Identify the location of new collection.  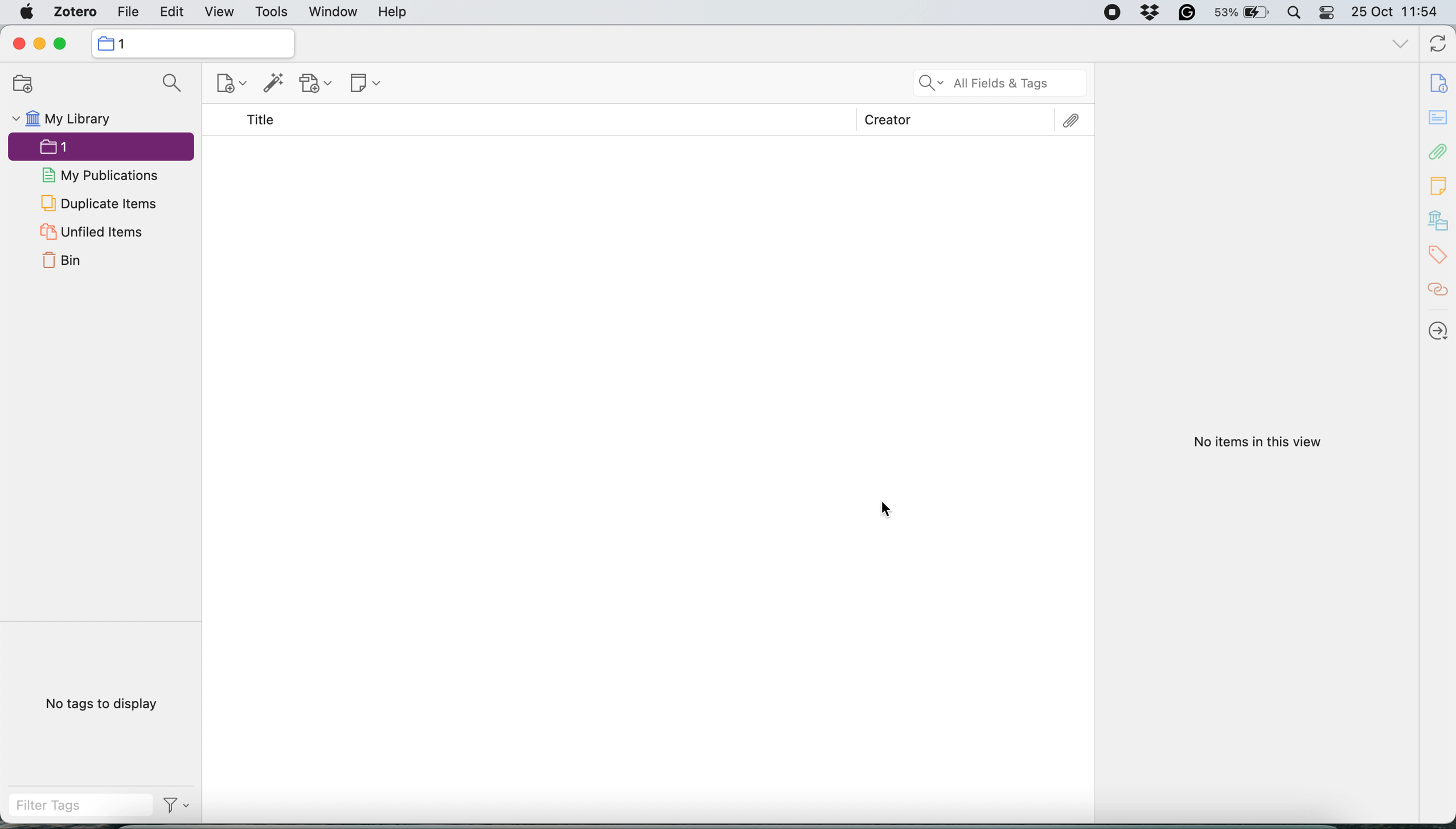
(28, 83).